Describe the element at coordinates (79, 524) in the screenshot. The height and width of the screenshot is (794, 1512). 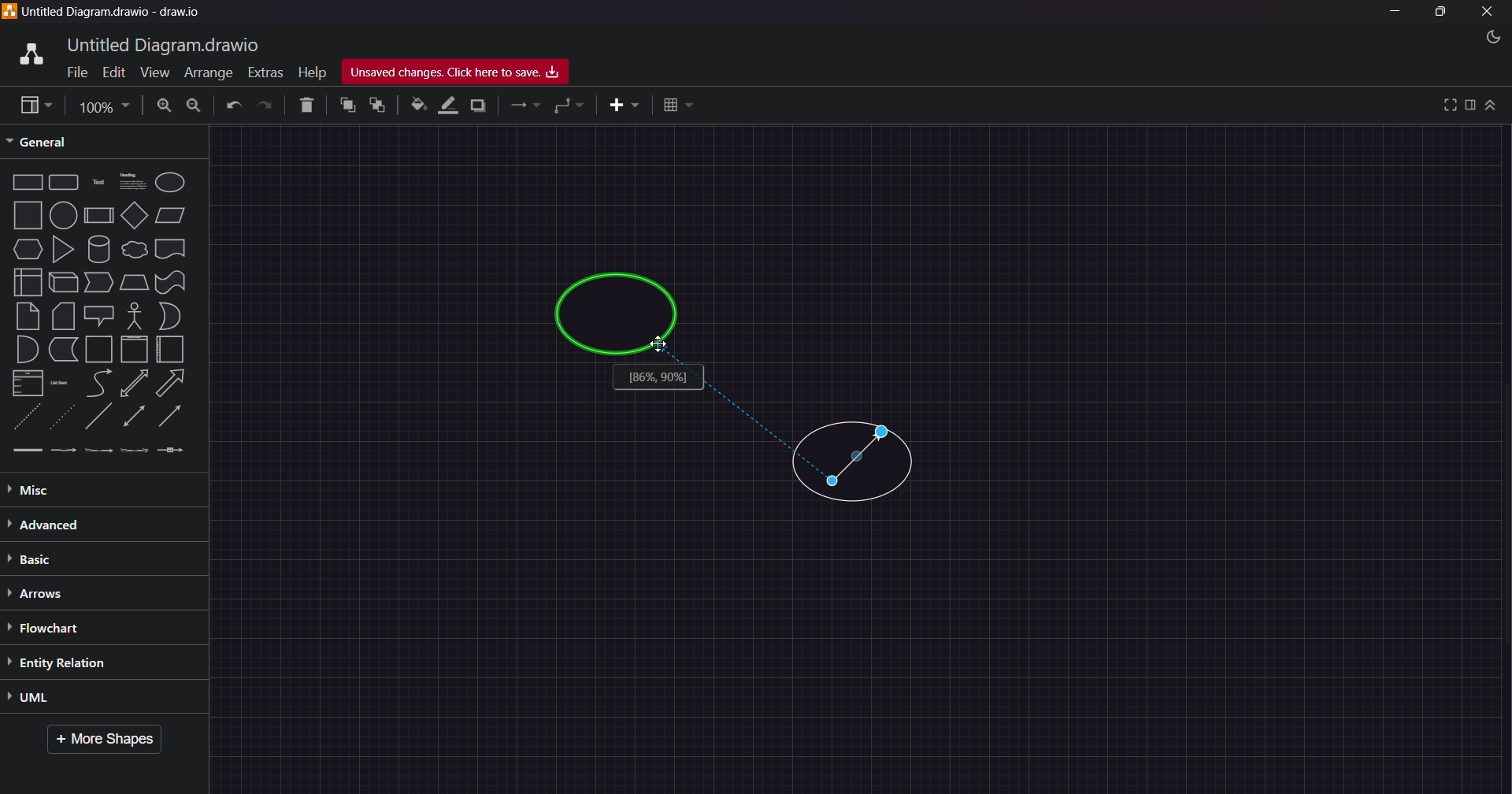
I see `Advanced` at that location.